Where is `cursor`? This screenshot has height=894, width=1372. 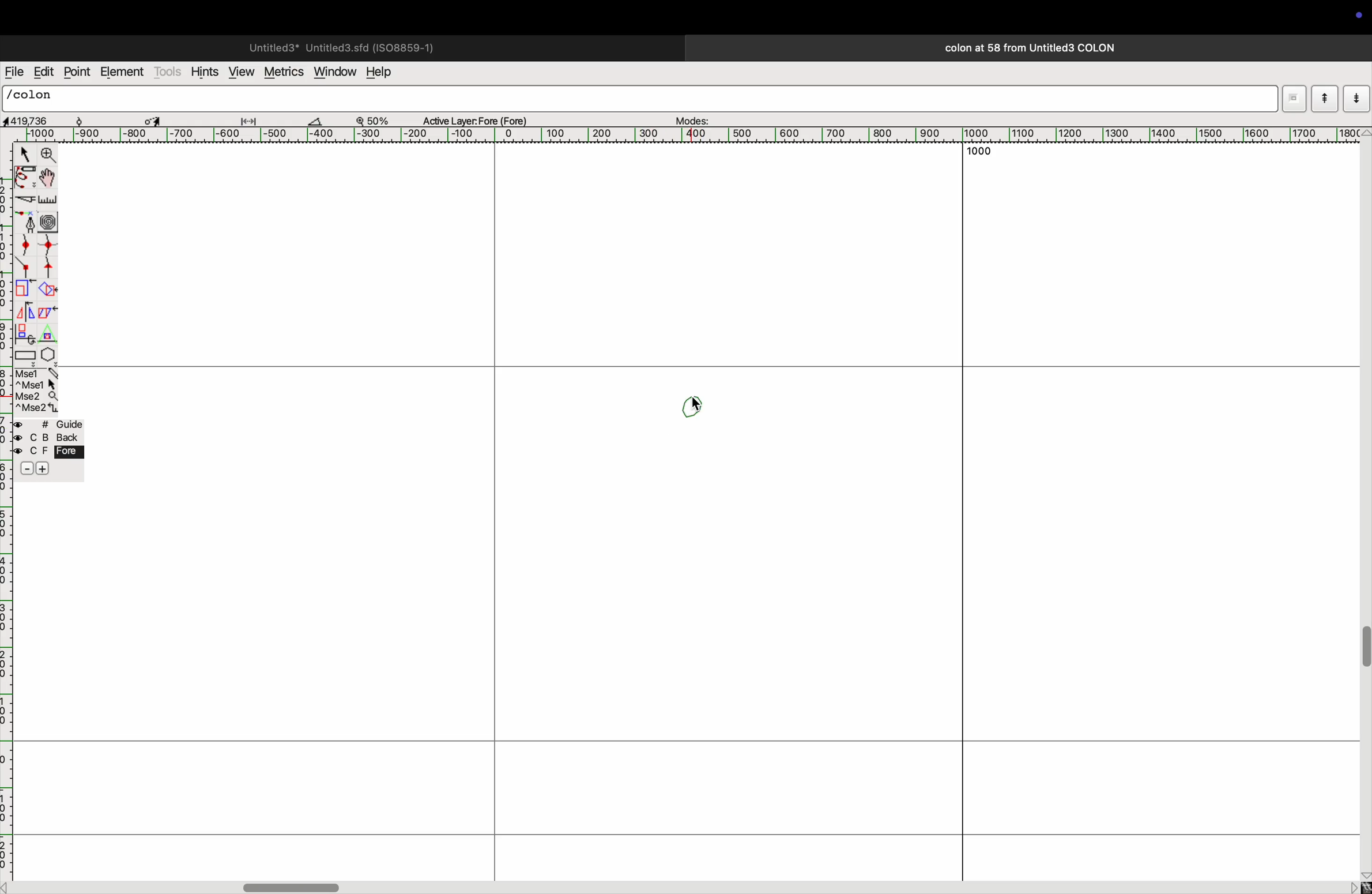 cursor is located at coordinates (22, 153).